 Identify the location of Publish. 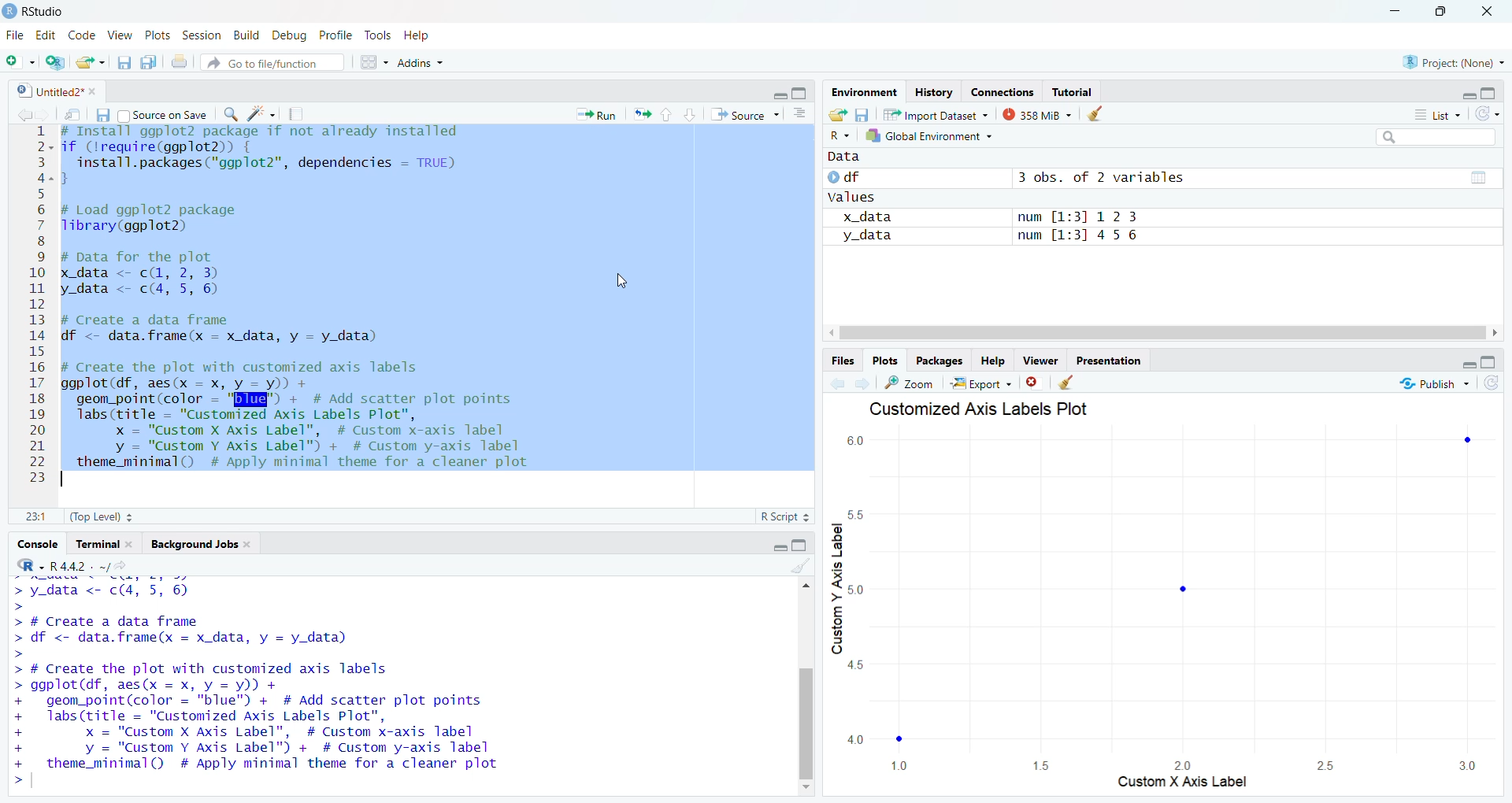
(1436, 383).